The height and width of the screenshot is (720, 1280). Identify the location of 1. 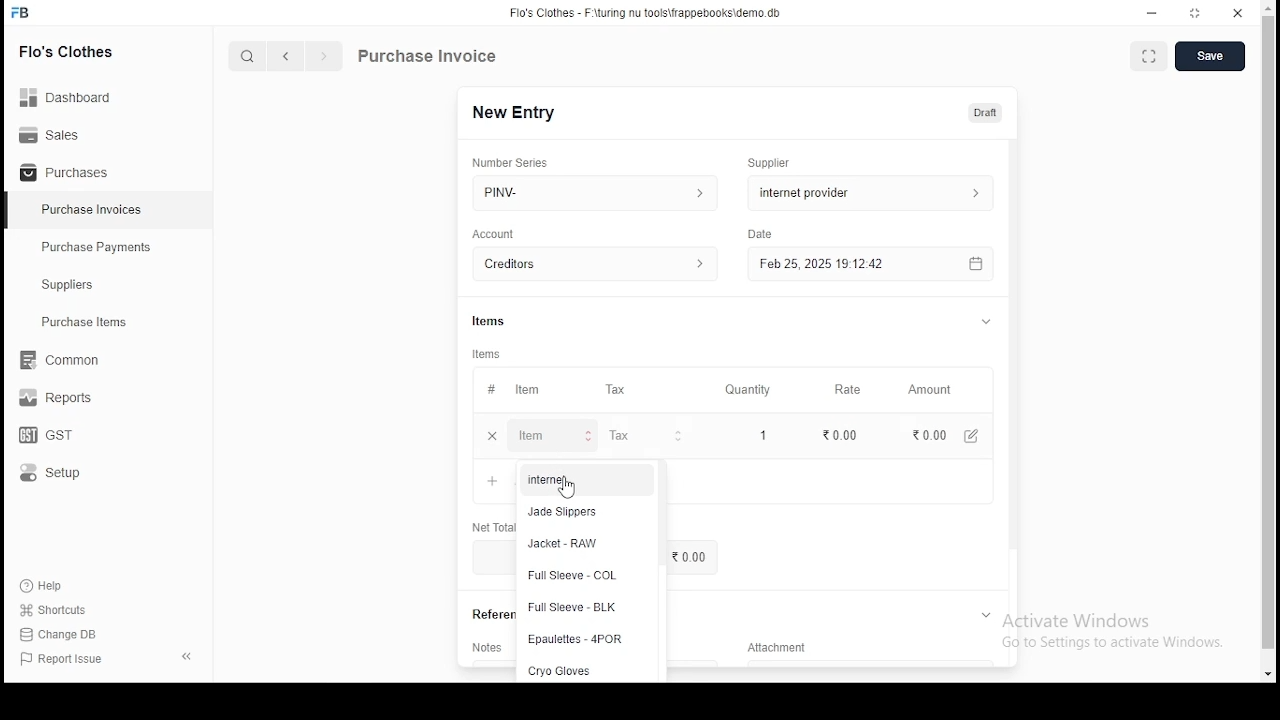
(765, 435).